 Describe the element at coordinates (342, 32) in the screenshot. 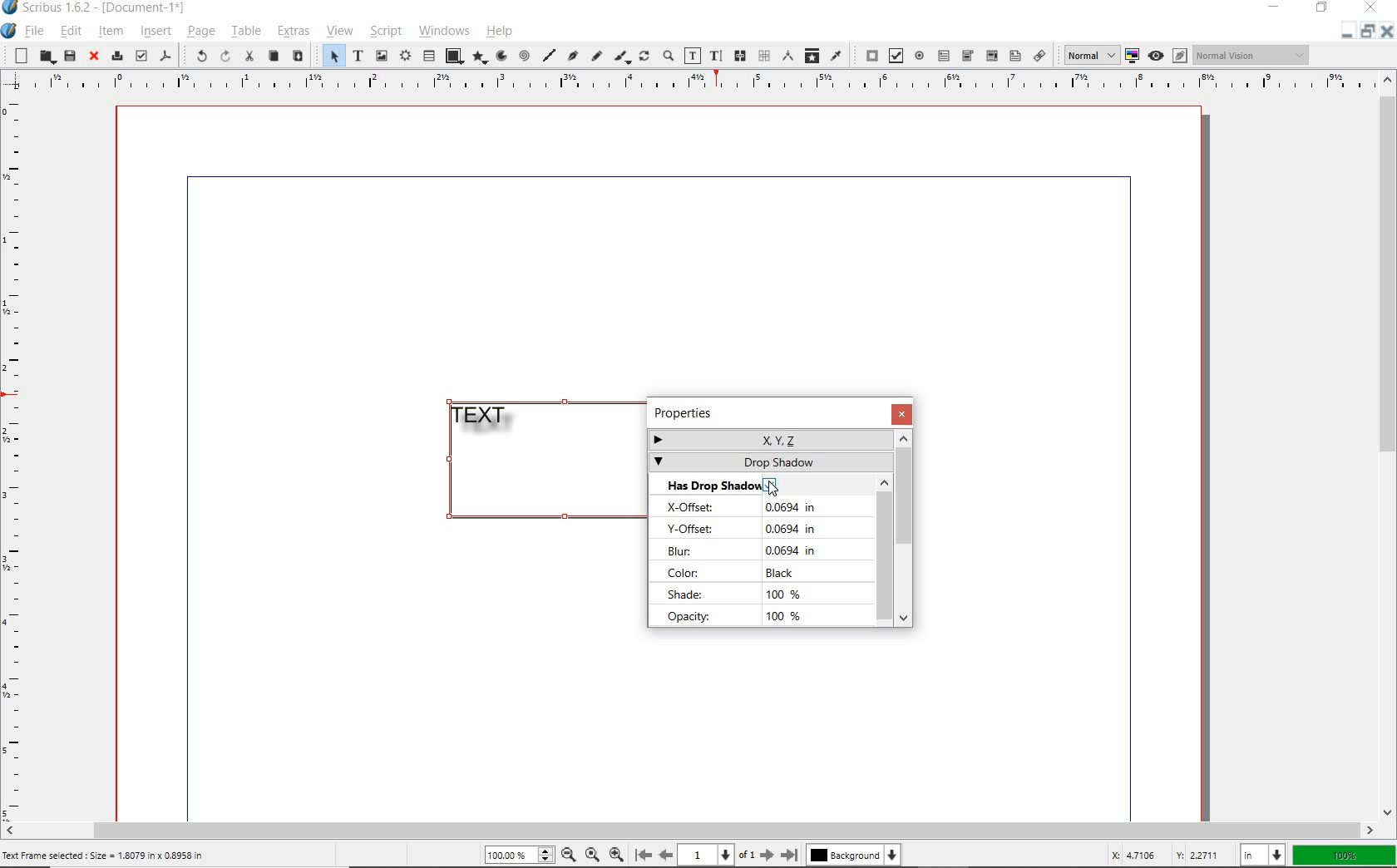

I see `view` at that location.